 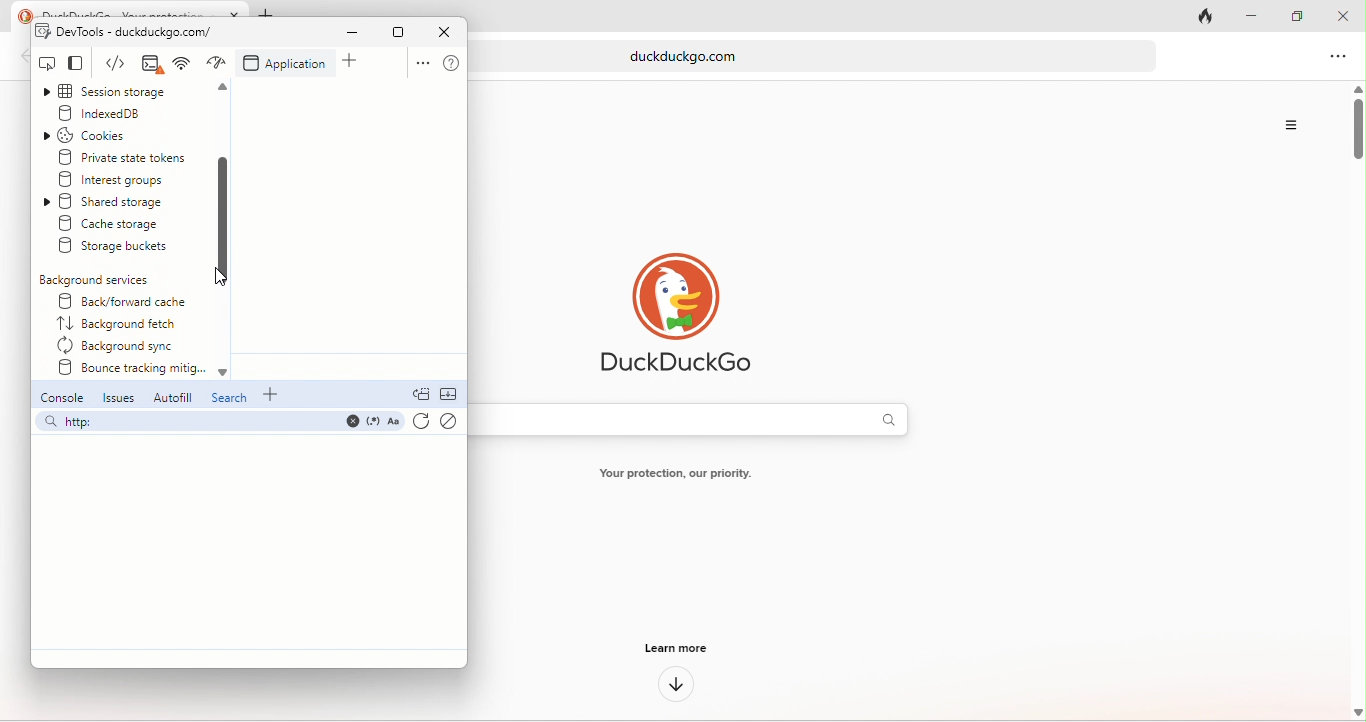 I want to click on track tab, so click(x=1209, y=19).